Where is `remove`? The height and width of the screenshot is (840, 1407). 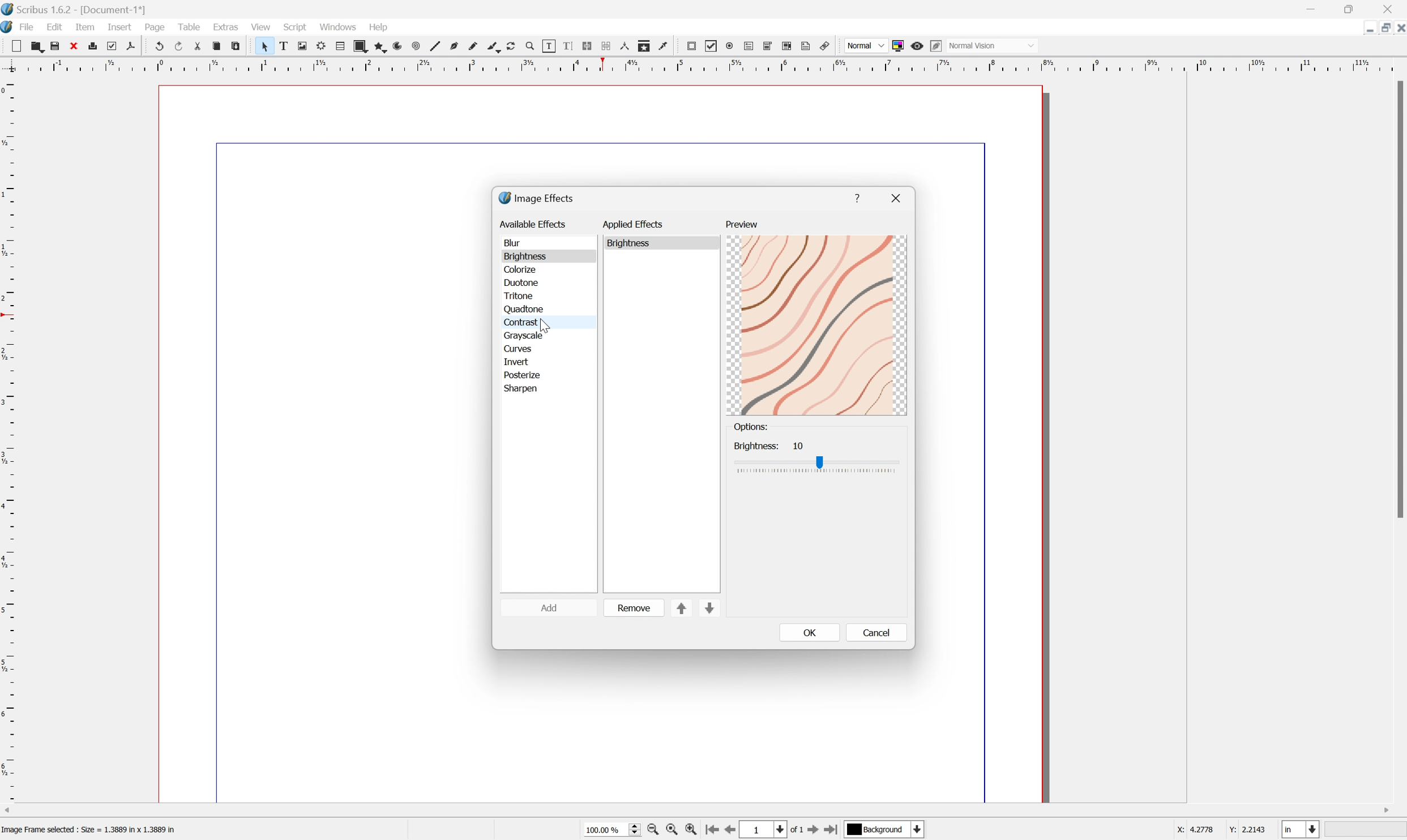
remove is located at coordinates (635, 607).